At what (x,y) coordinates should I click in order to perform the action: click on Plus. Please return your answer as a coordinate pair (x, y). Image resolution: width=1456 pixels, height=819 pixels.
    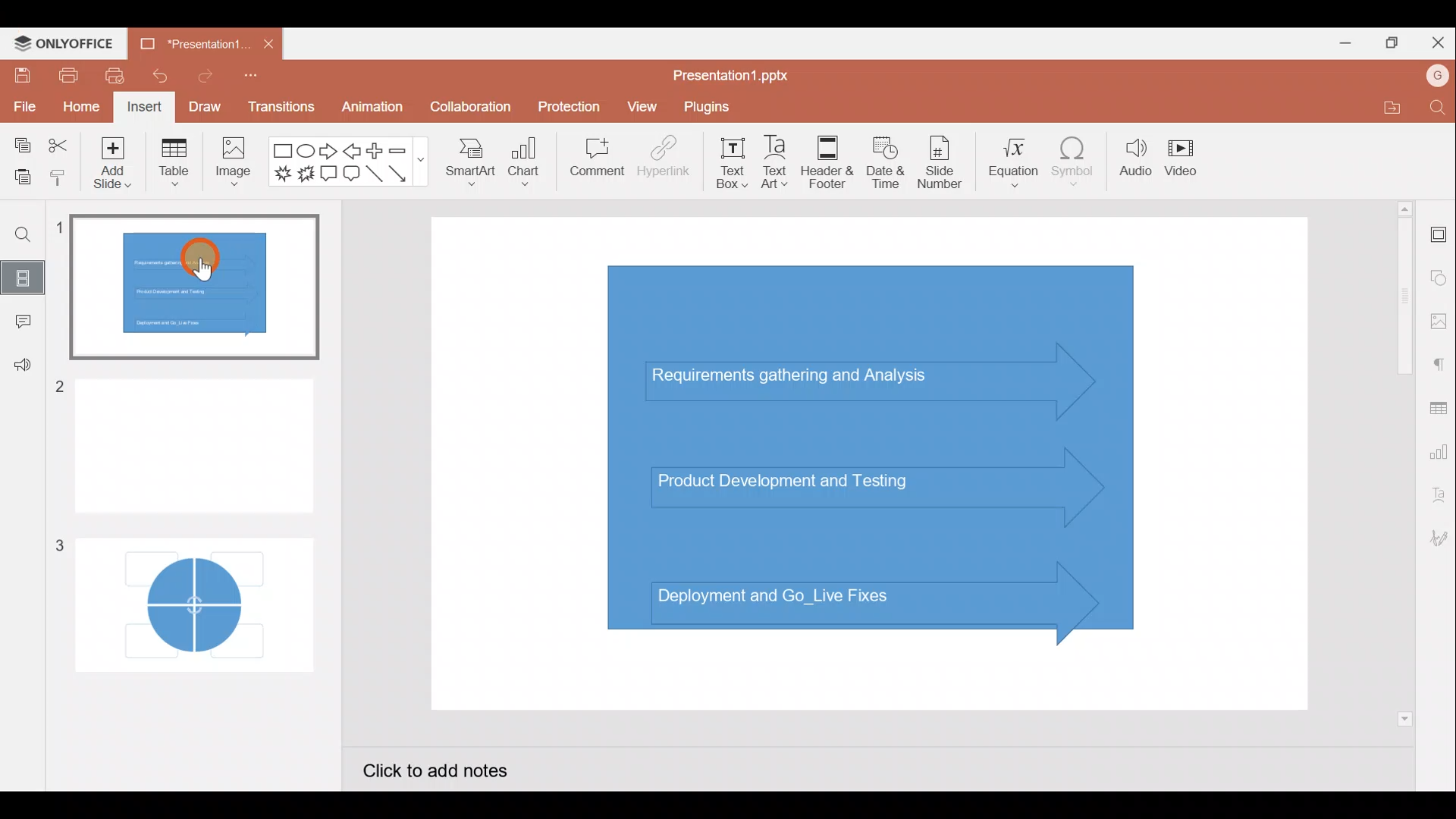
    Looking at the image, I should click on (375, 149).